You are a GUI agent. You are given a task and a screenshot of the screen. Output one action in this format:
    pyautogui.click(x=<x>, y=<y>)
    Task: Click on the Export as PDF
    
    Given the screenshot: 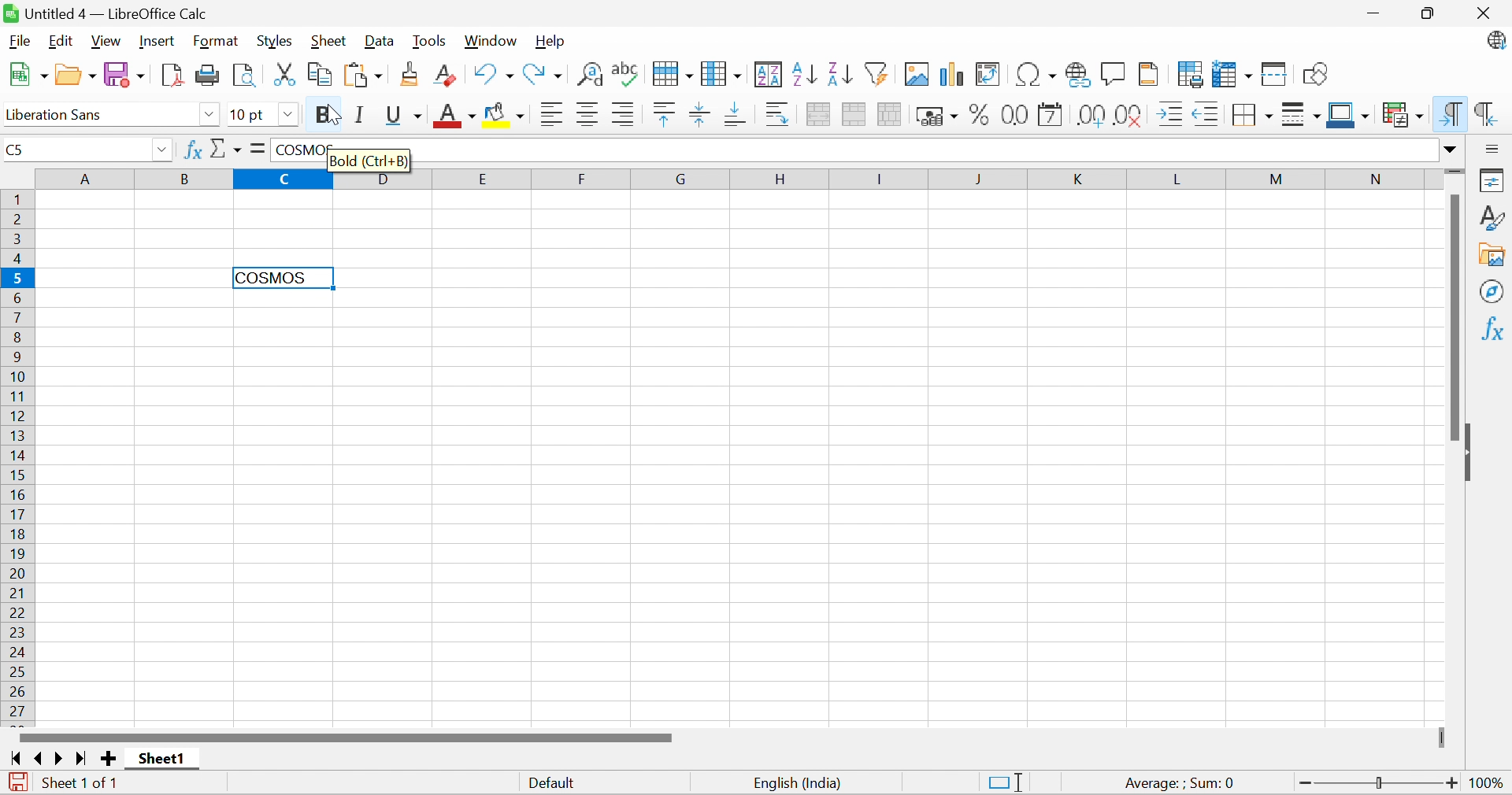 What is the action you would take?
    pyautogui.click(x=174, y=75)
    